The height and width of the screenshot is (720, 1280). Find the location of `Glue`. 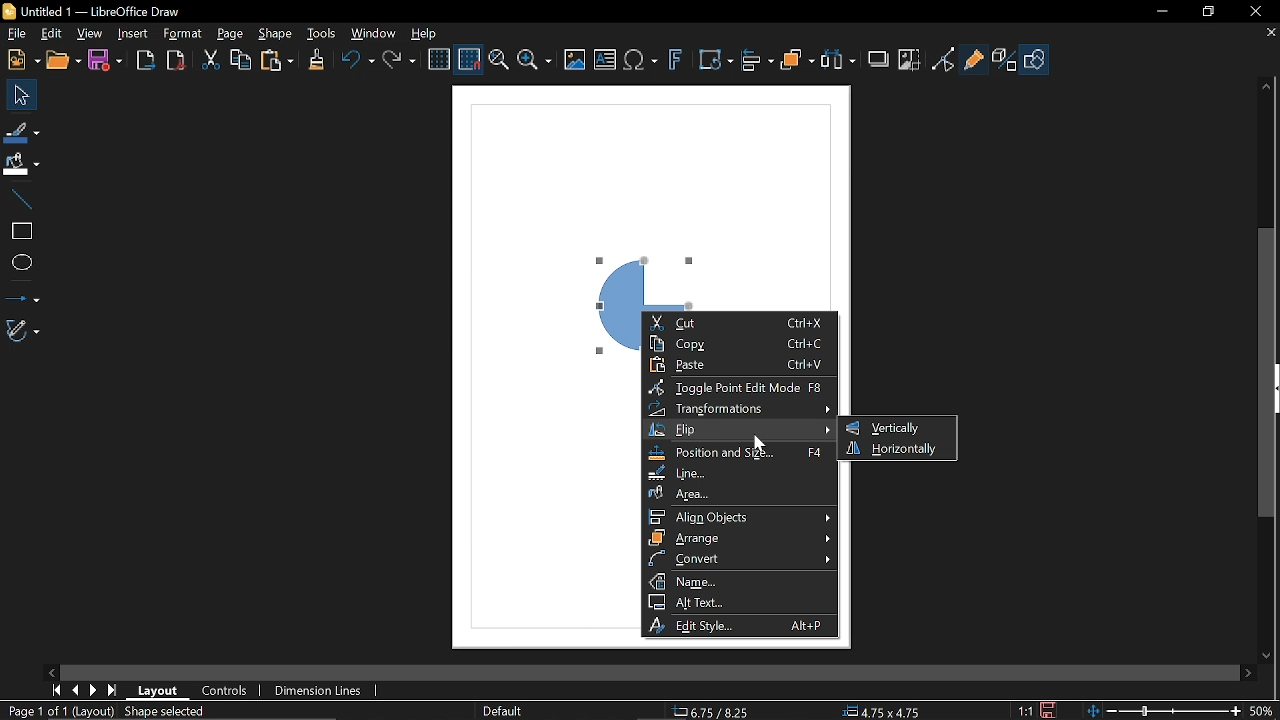

Glue is located at coordinates (974, 58).